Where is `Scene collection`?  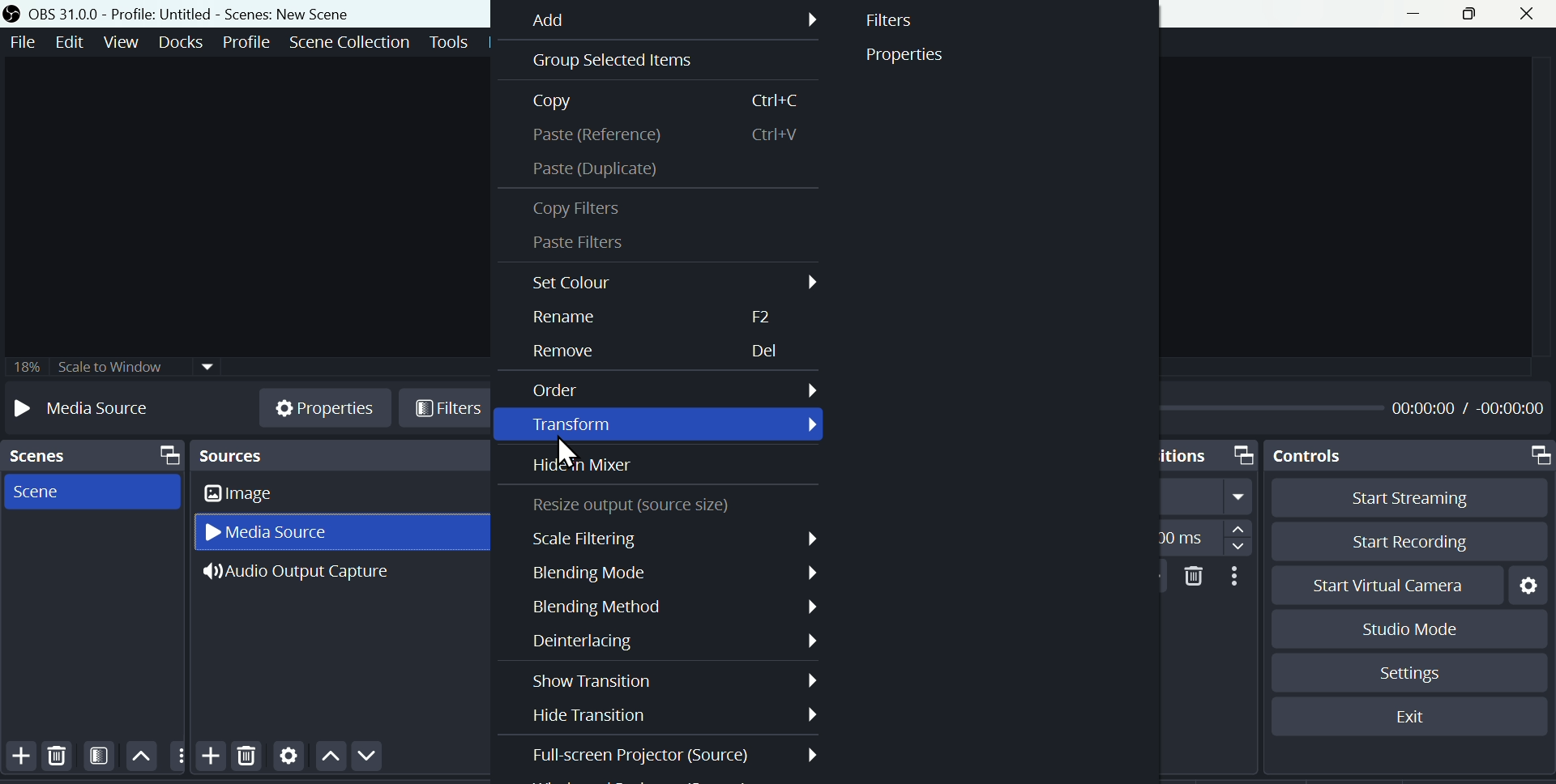 Scene collection is located at coordinates (348, 40).